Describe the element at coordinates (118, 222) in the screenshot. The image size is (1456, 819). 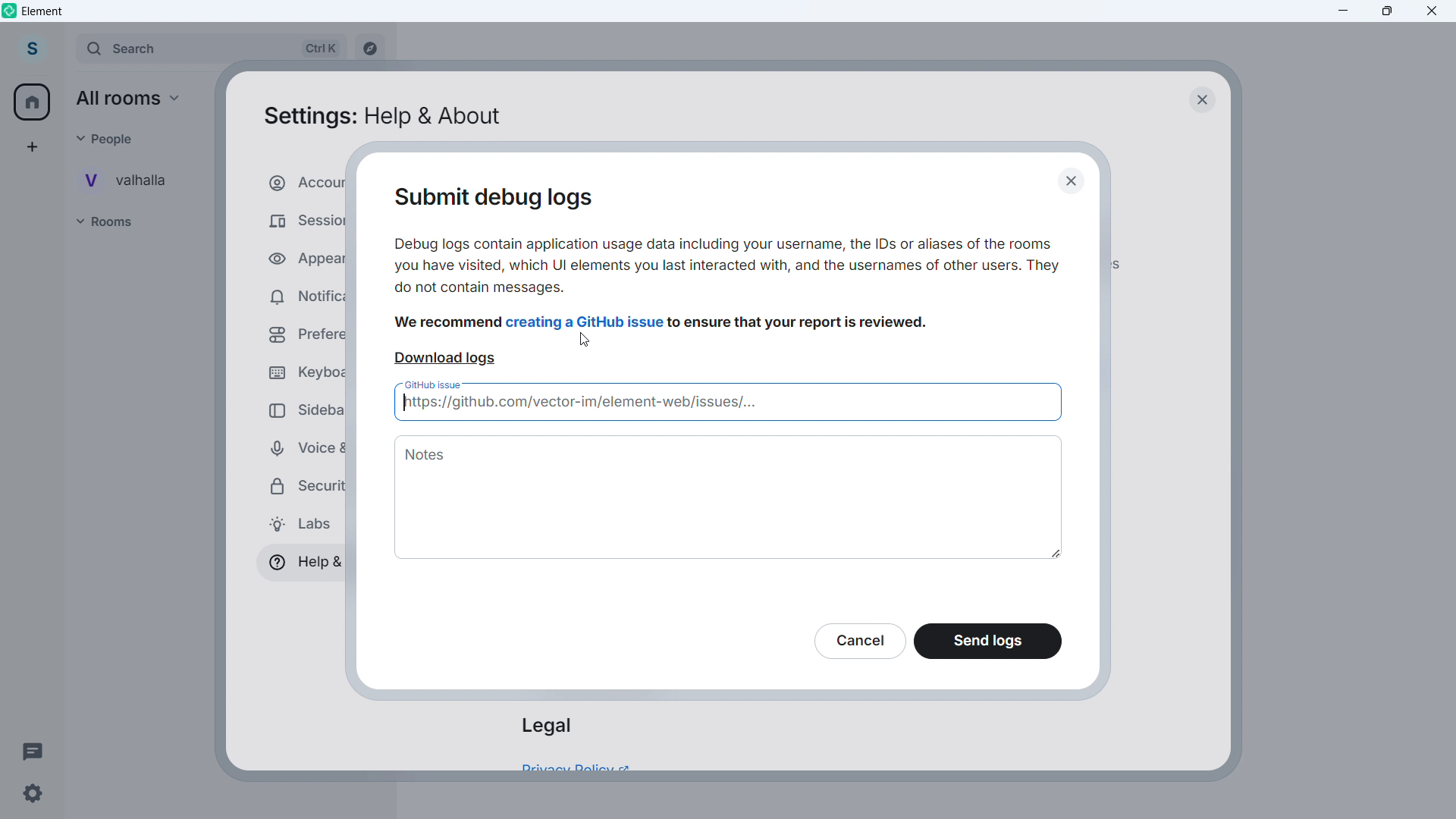
I see `Rooms ` at that location.